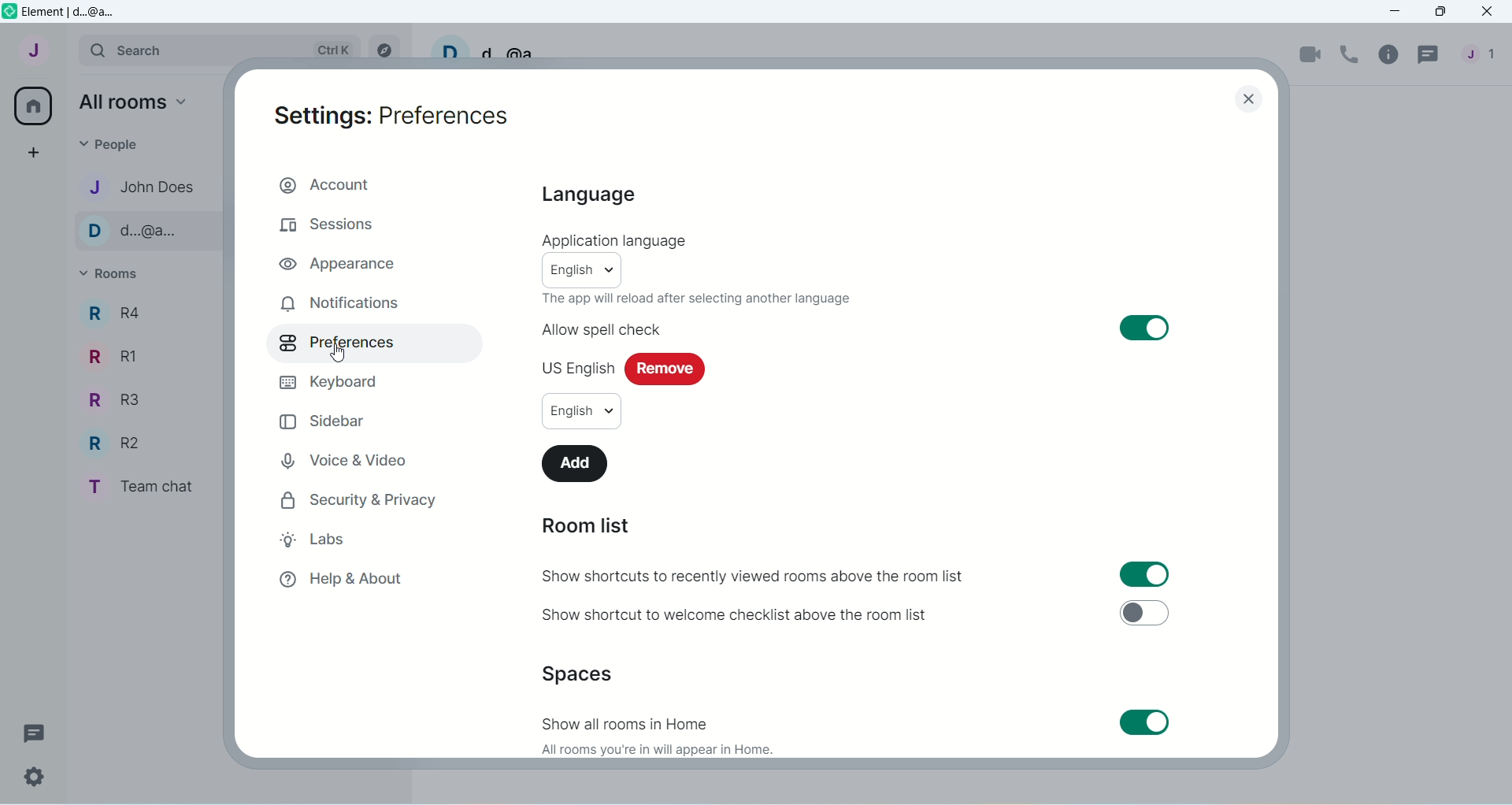  What do you see at coordinates (385, 51) in the screenshot?
I see `Explore rooms` at bounding box center [385, 51].